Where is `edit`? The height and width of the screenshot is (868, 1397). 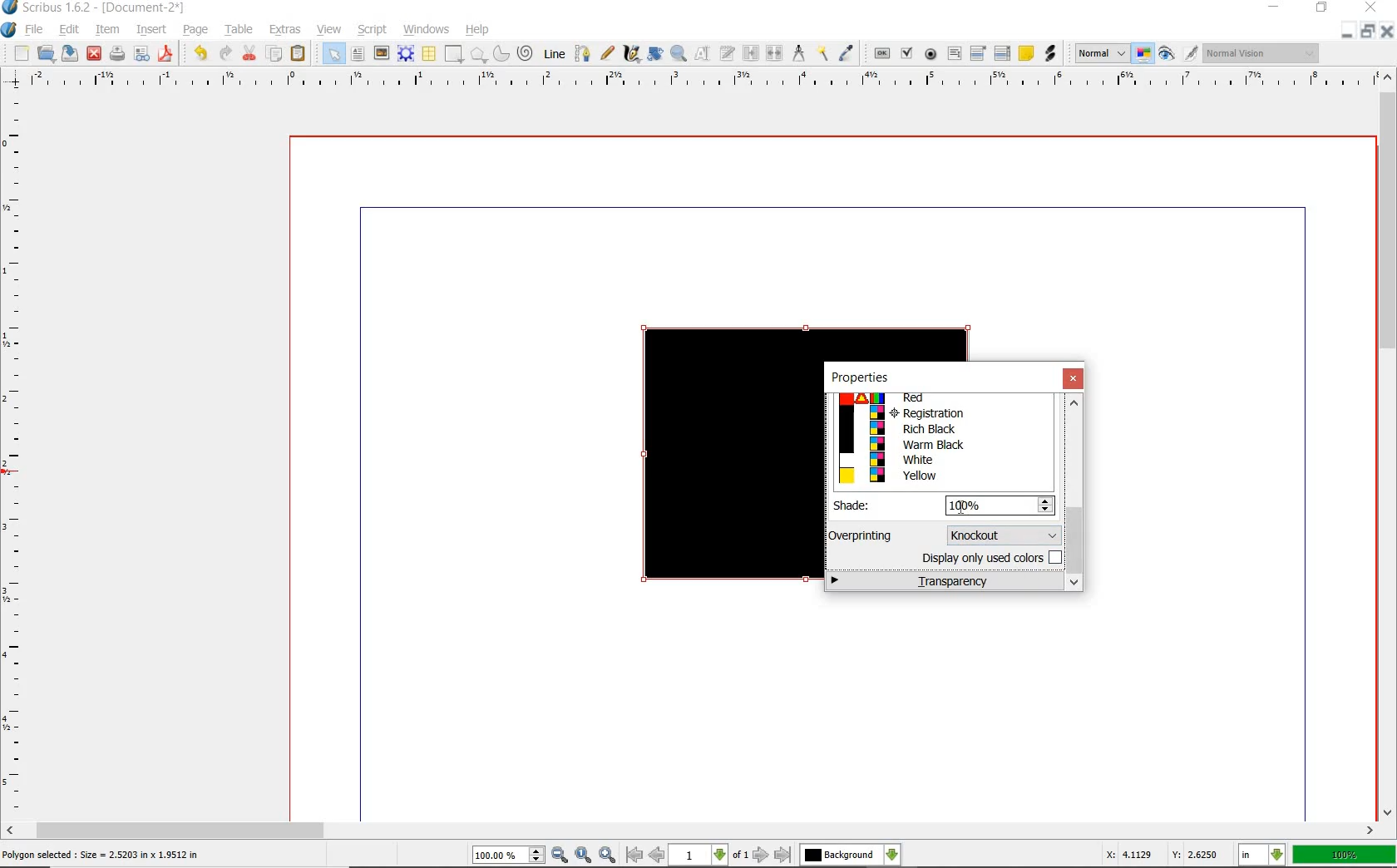 edit is located at coordinates (69, 30).